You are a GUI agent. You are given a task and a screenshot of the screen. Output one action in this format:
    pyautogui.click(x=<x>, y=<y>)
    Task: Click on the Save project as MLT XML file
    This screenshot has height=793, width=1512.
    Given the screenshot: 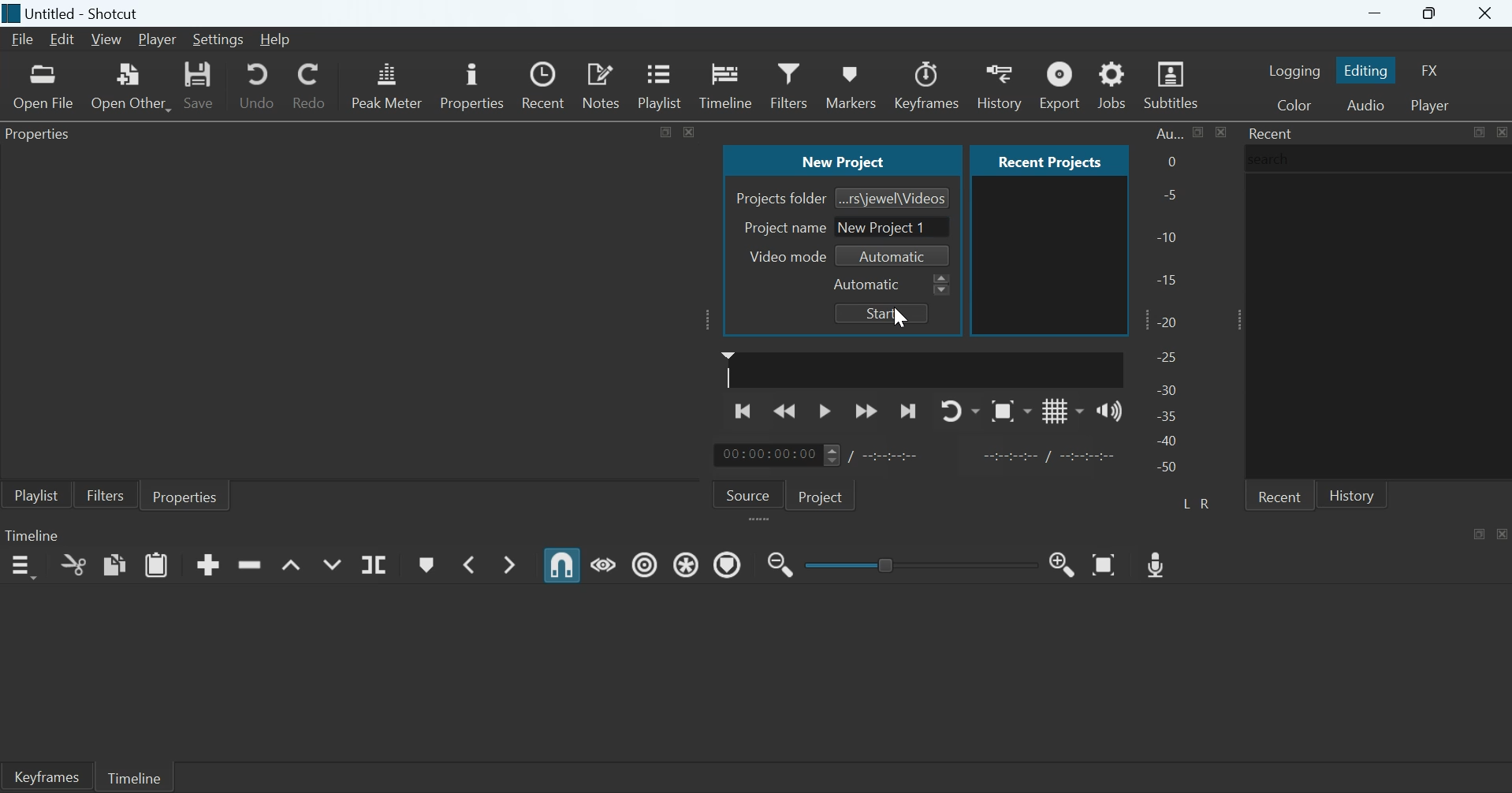 What is the action you would take?
    pyautogui.click(x=200, y=85)
    